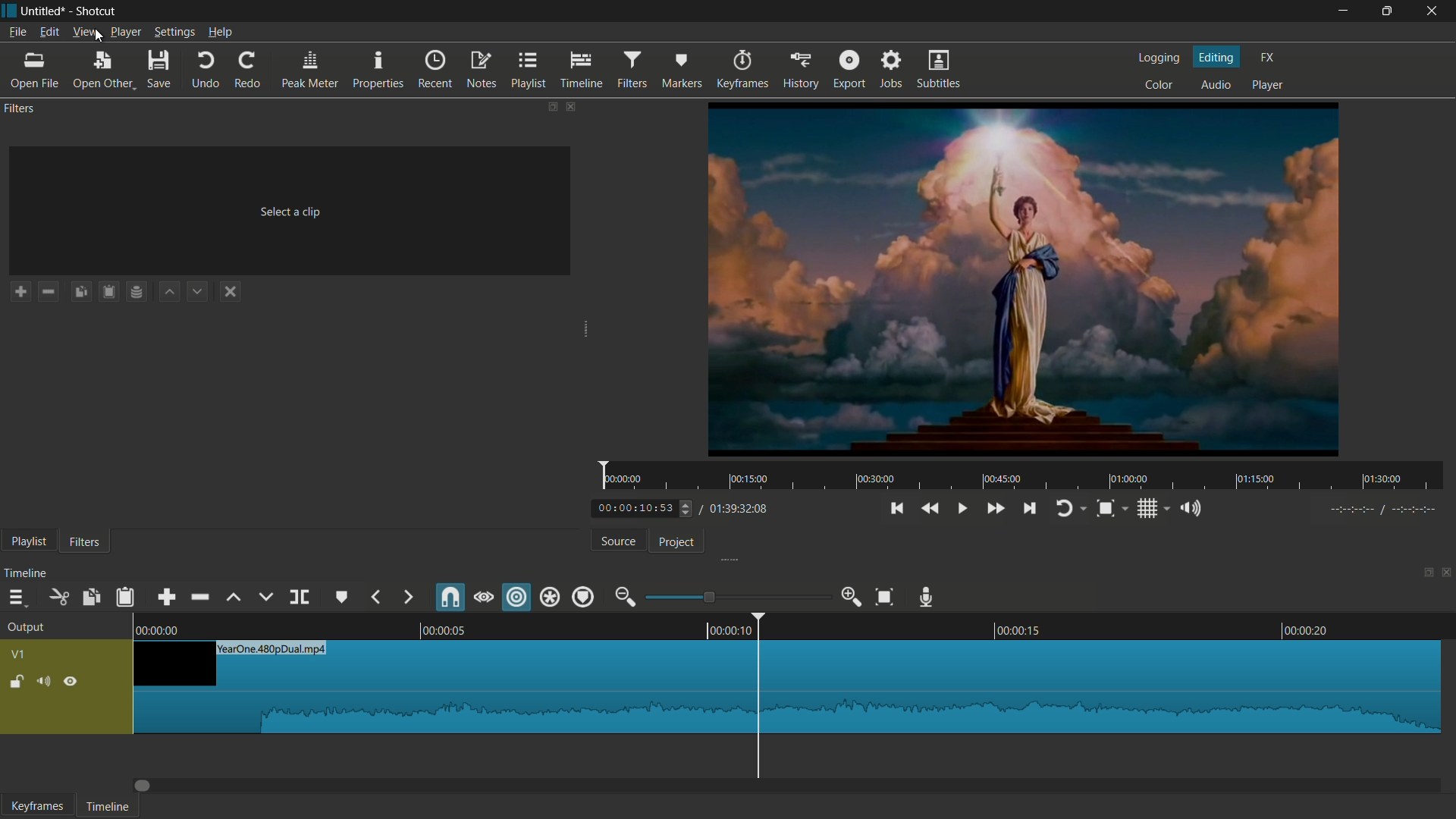  I want to click on adjustment bar, so click(736, 597).